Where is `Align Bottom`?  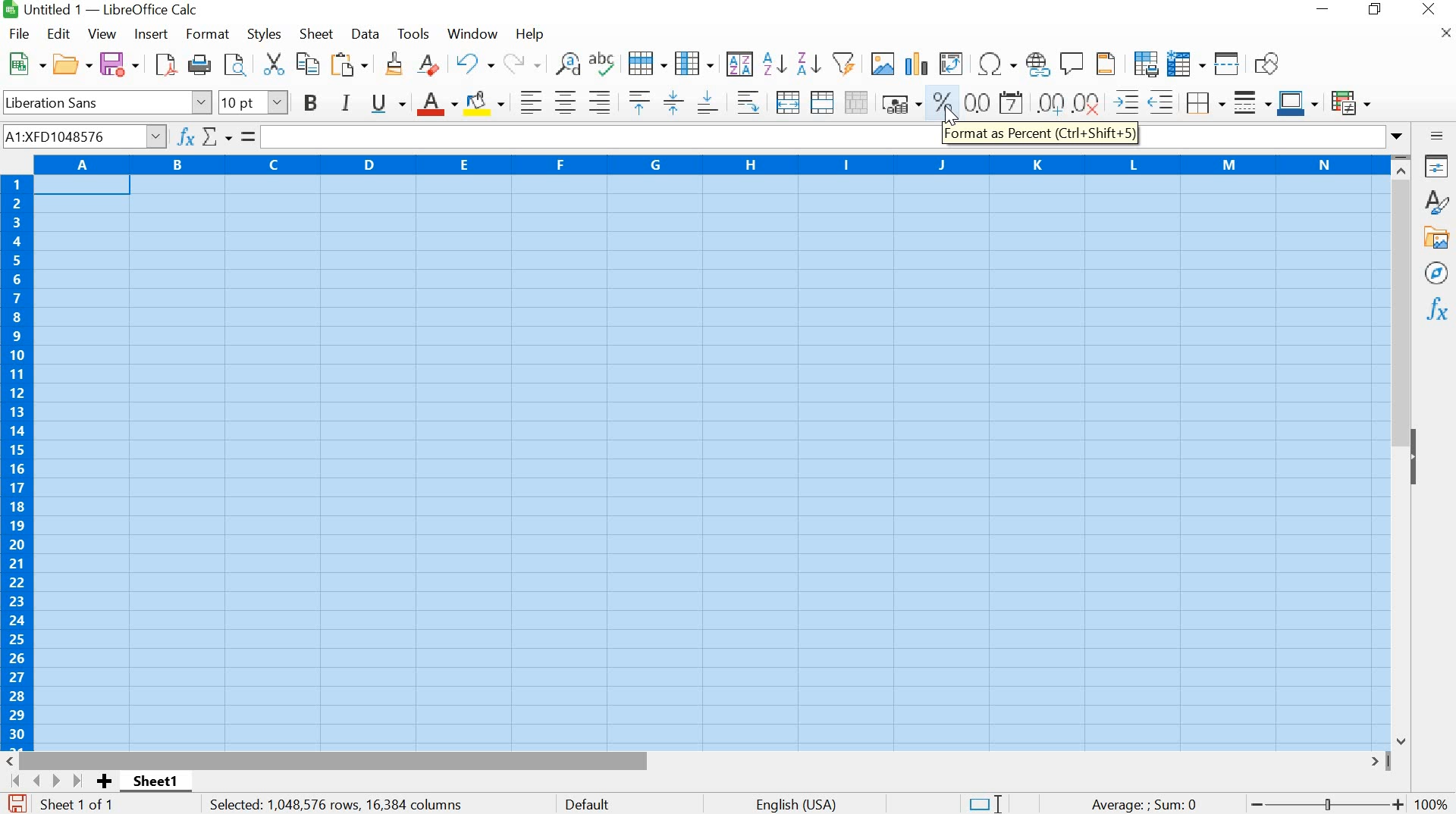 Align Bottom is located at coordinates (707, 105).